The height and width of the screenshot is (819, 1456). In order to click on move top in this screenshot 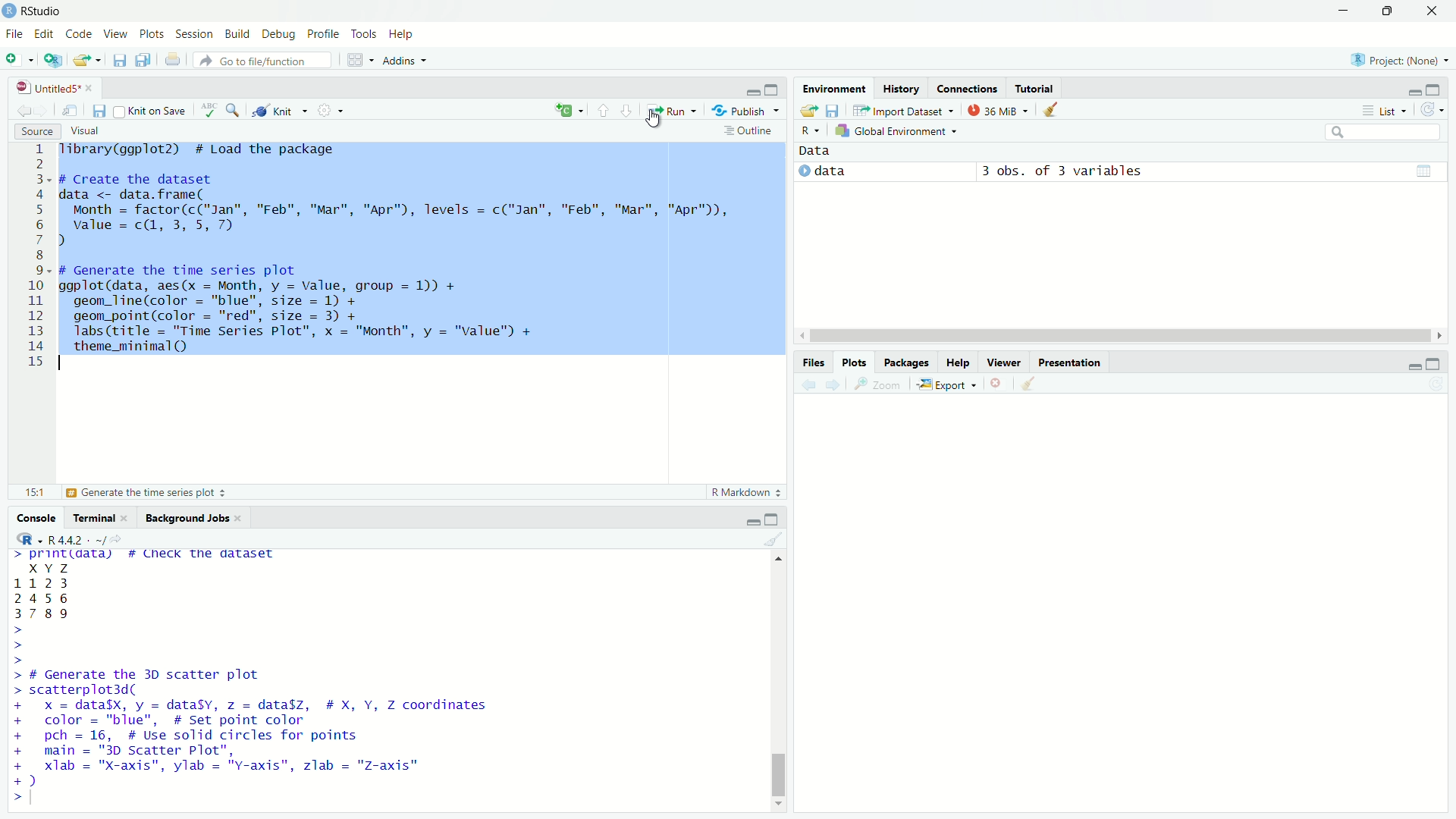, I will do `click(775, 560)`.